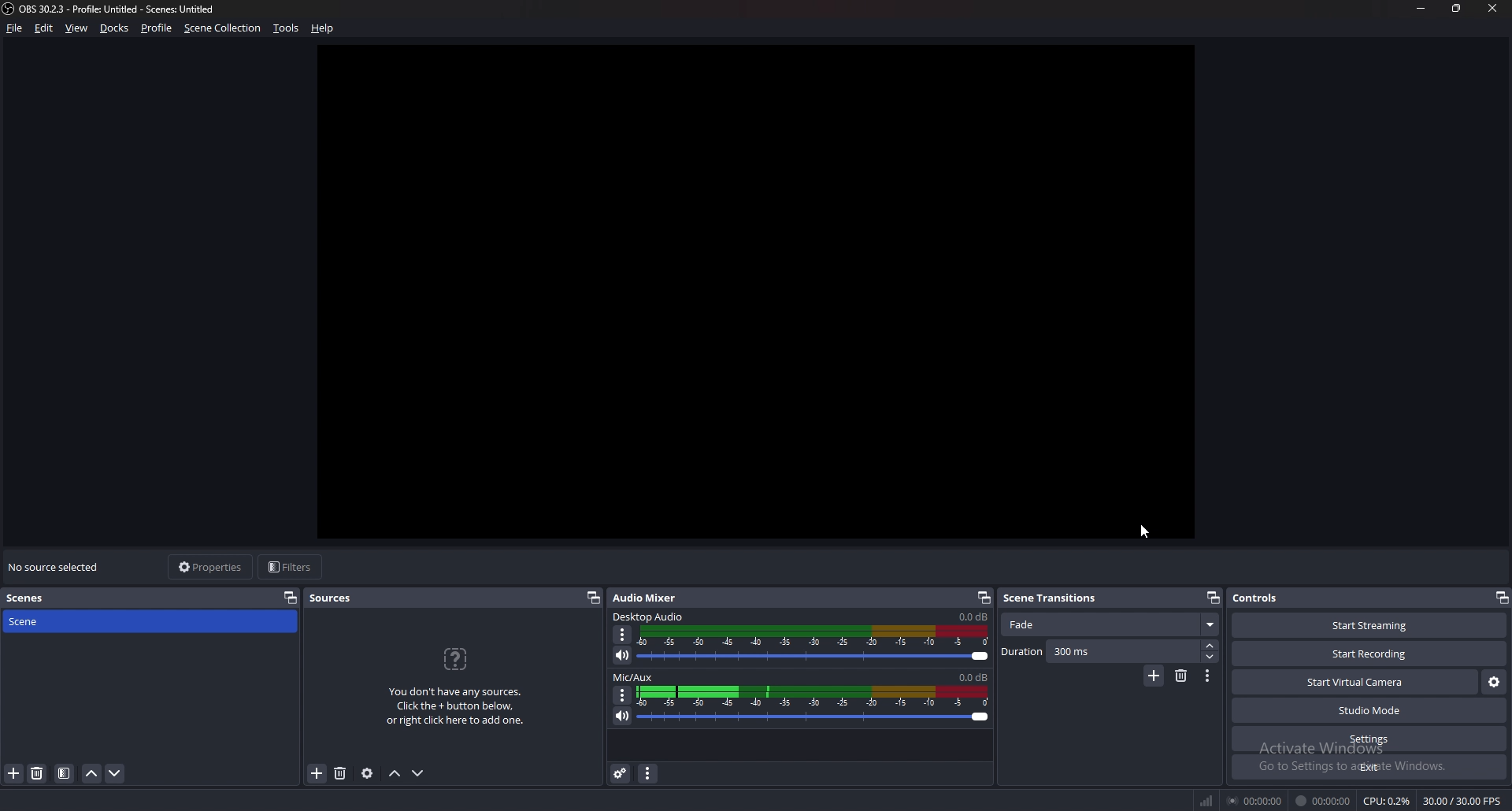 The height and width of the screenshot is (811, 1512). I want to click on decrease duration, so click(1209, 657).